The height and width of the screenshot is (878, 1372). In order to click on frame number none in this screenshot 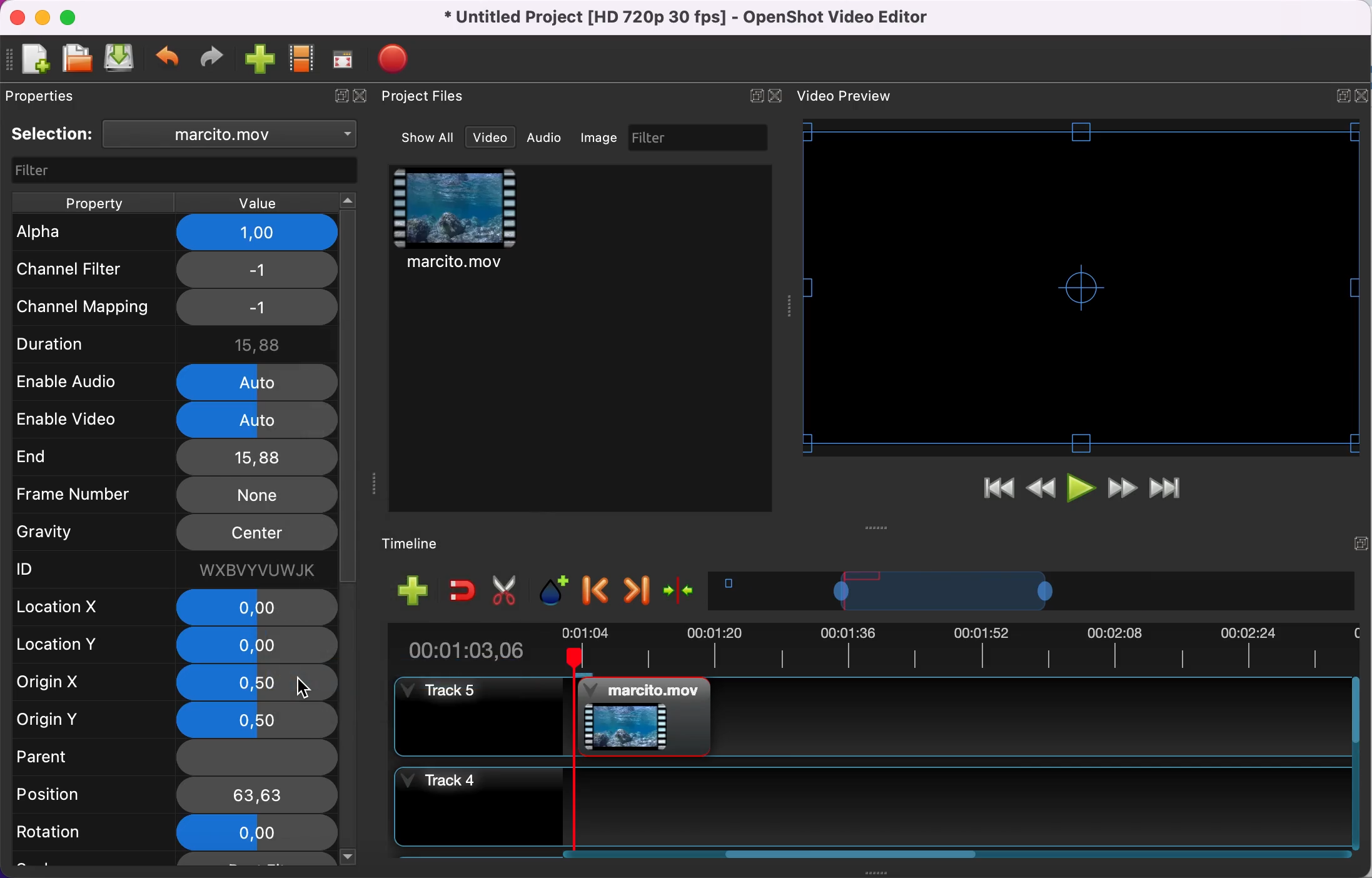, I will do `click(174, 494)`.